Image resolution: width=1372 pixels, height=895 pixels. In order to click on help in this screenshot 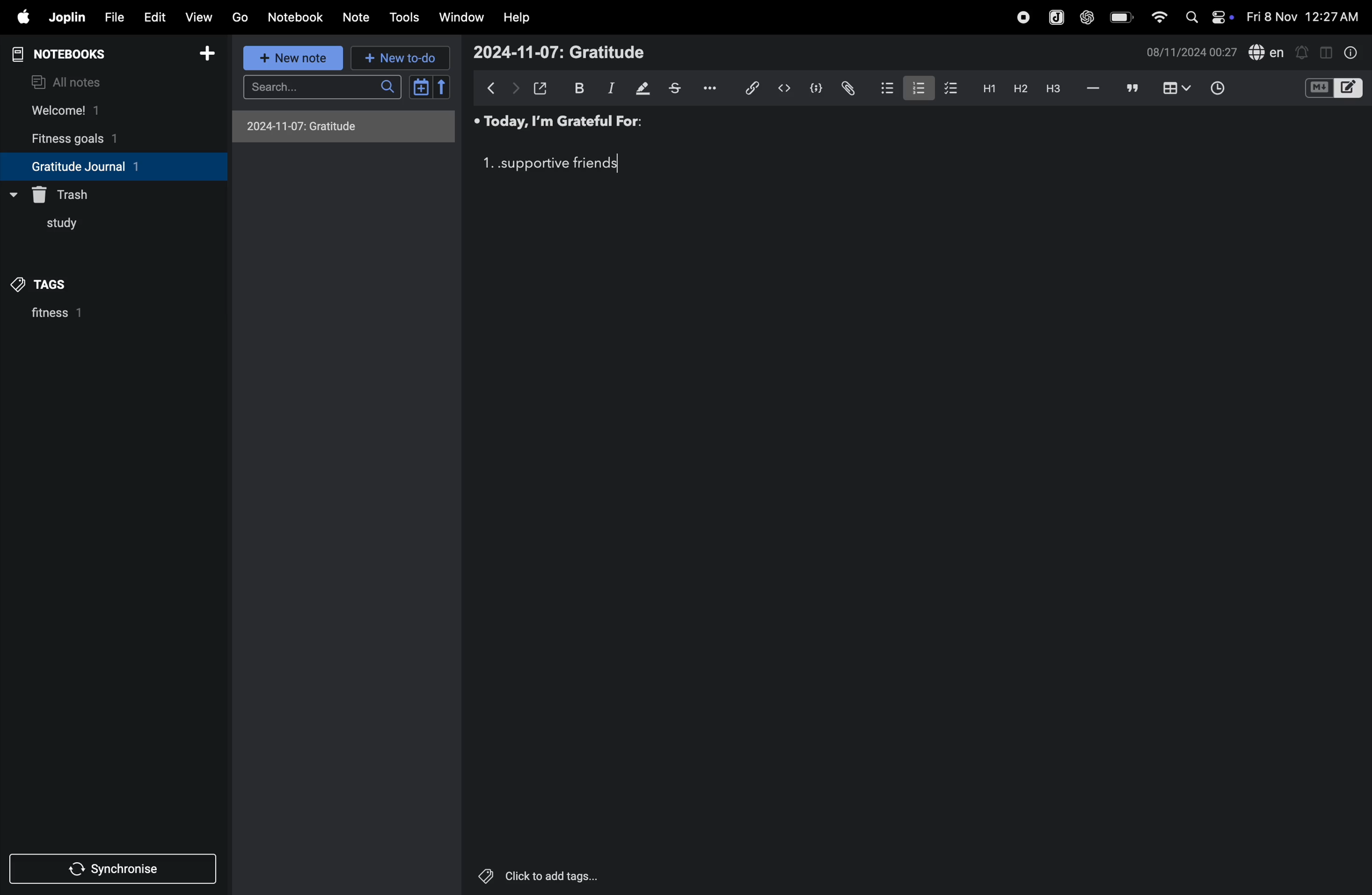, I will do `click(517, 18)`.